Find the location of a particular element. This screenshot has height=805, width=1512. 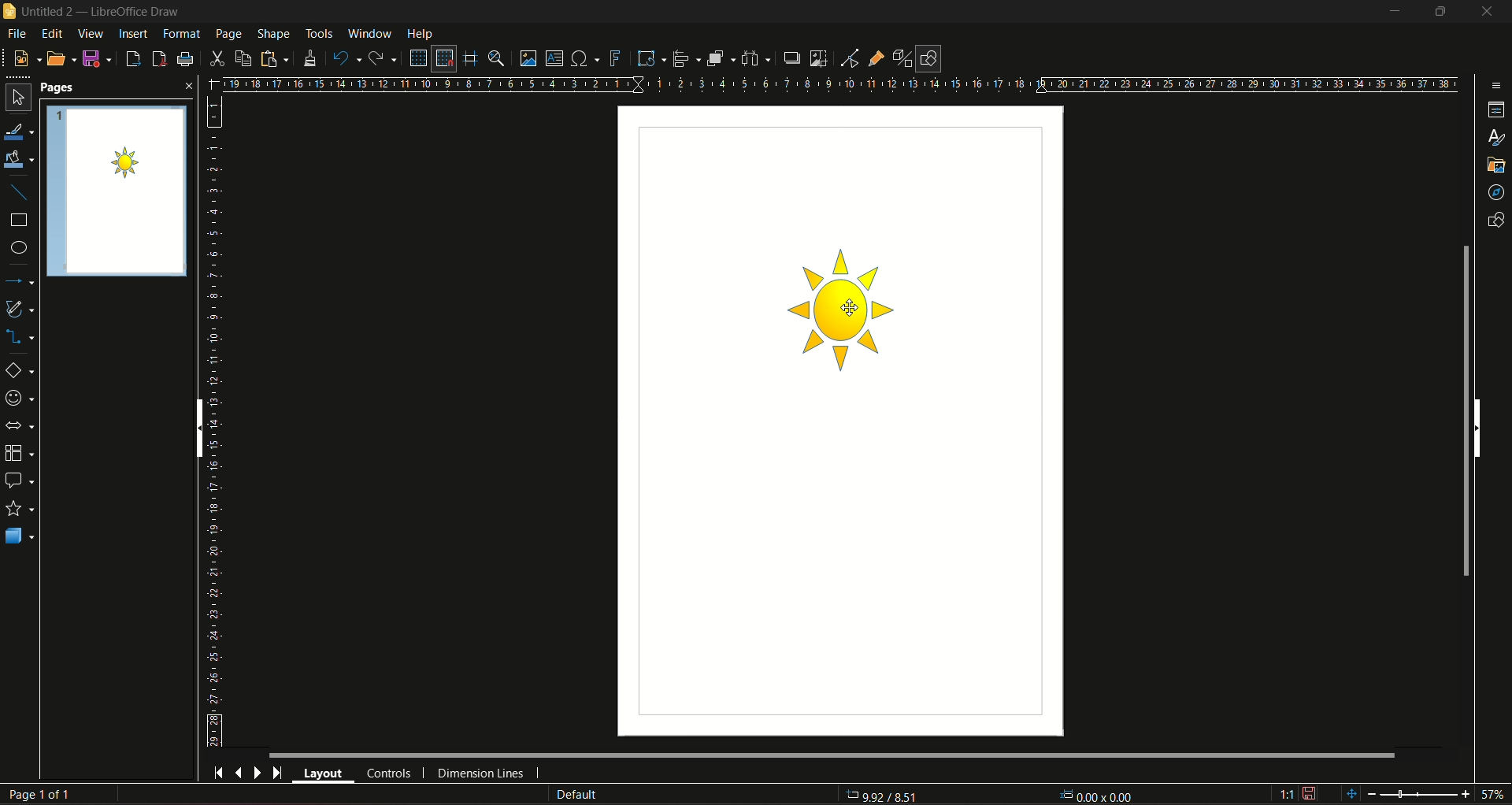

open is located at coordinates (61, 58).